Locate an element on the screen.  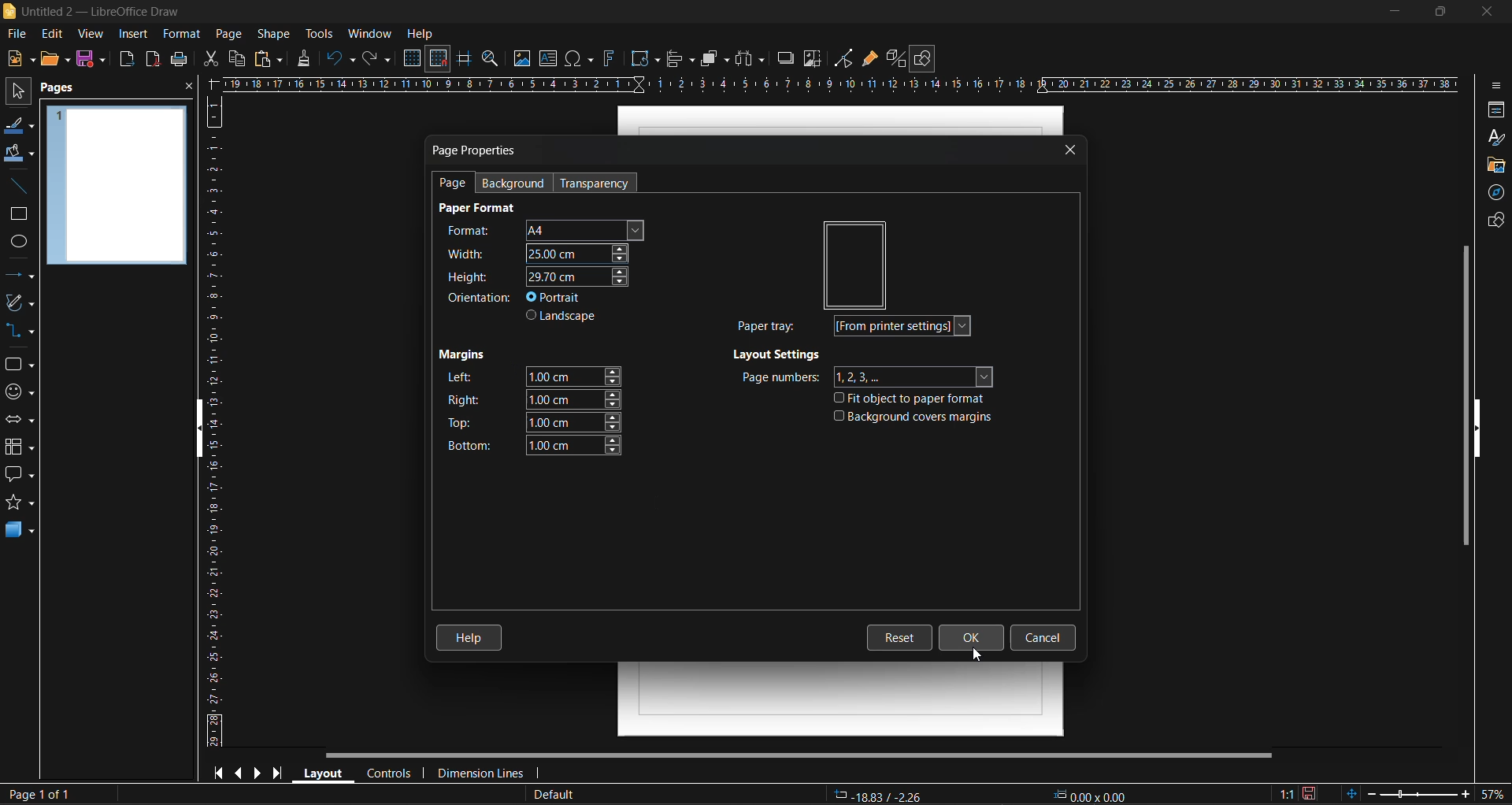
export directly as pdf is located at coordinates (152, 59).